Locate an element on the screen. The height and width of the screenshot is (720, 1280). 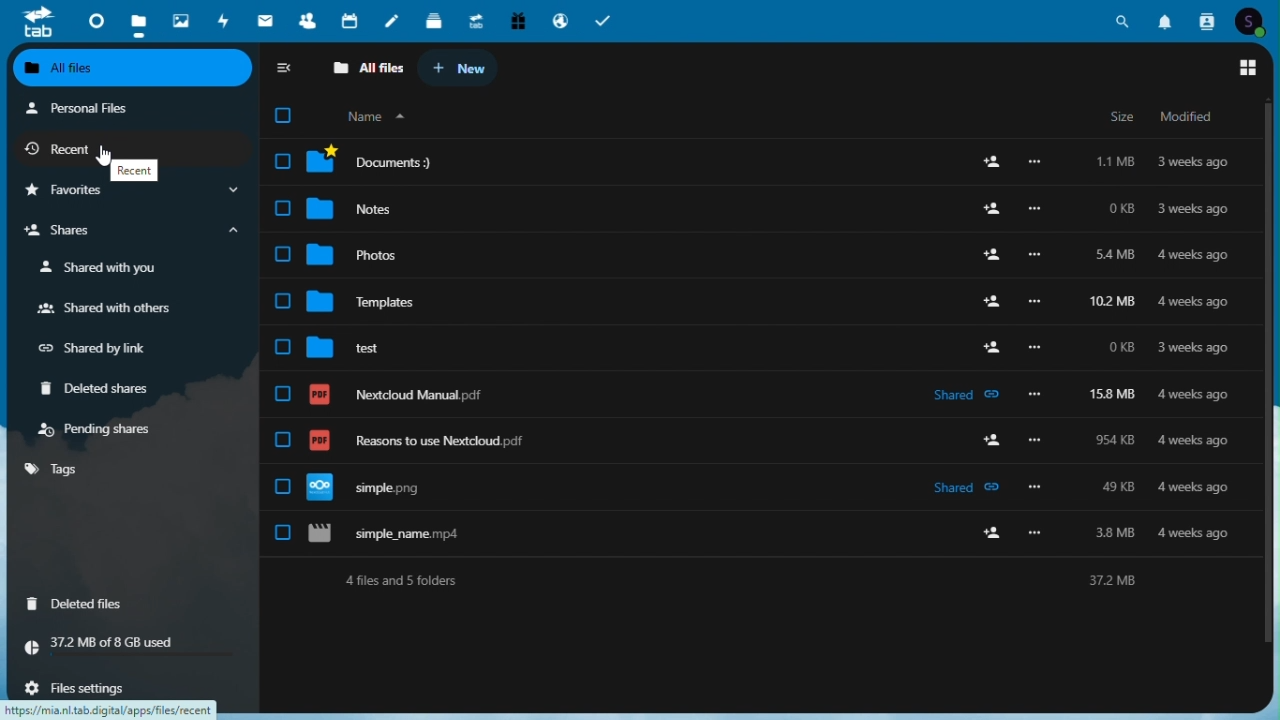
| Templates is located at coordinates (752, 302).